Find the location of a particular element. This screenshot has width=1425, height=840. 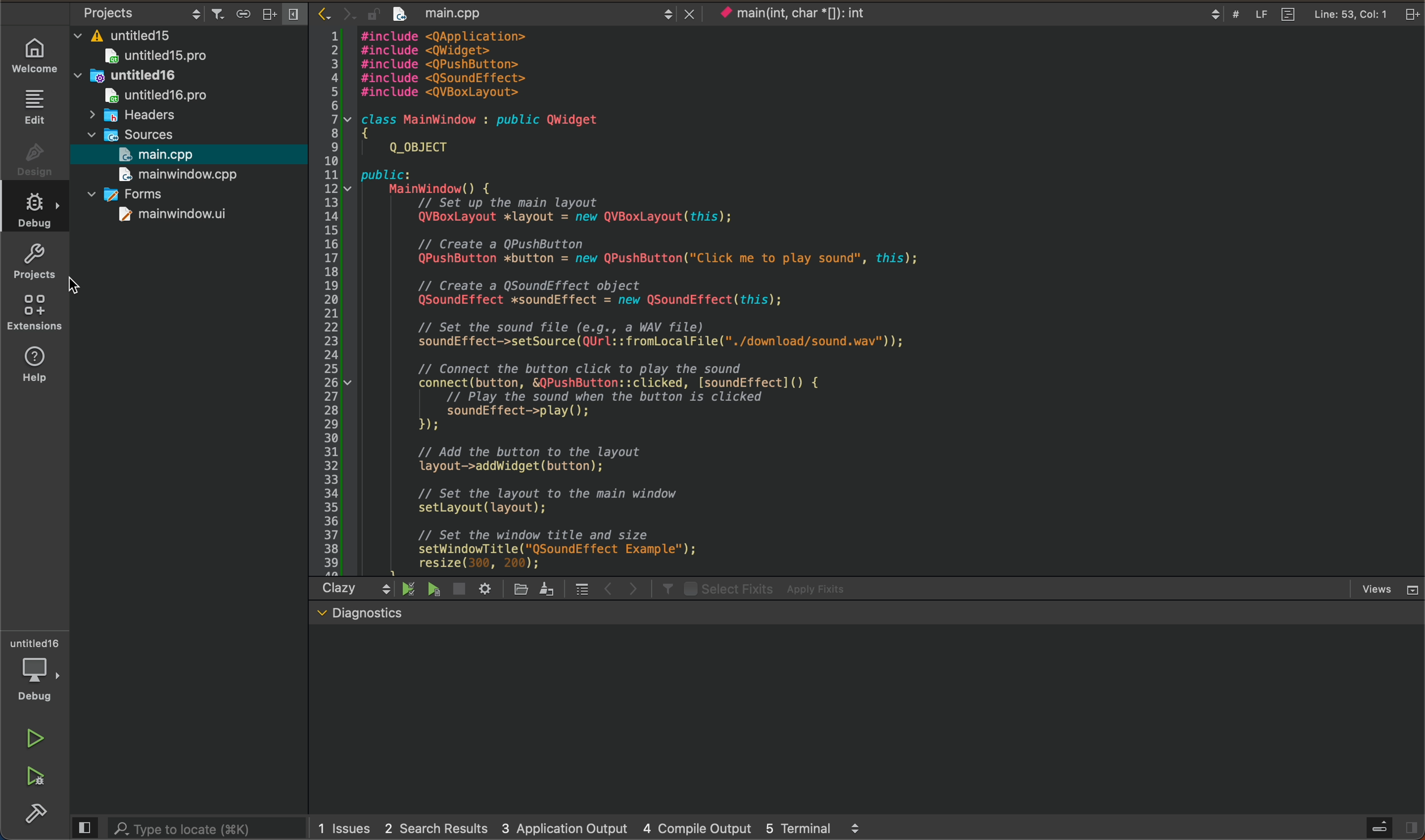

filter is located at coordinates (661, 589).